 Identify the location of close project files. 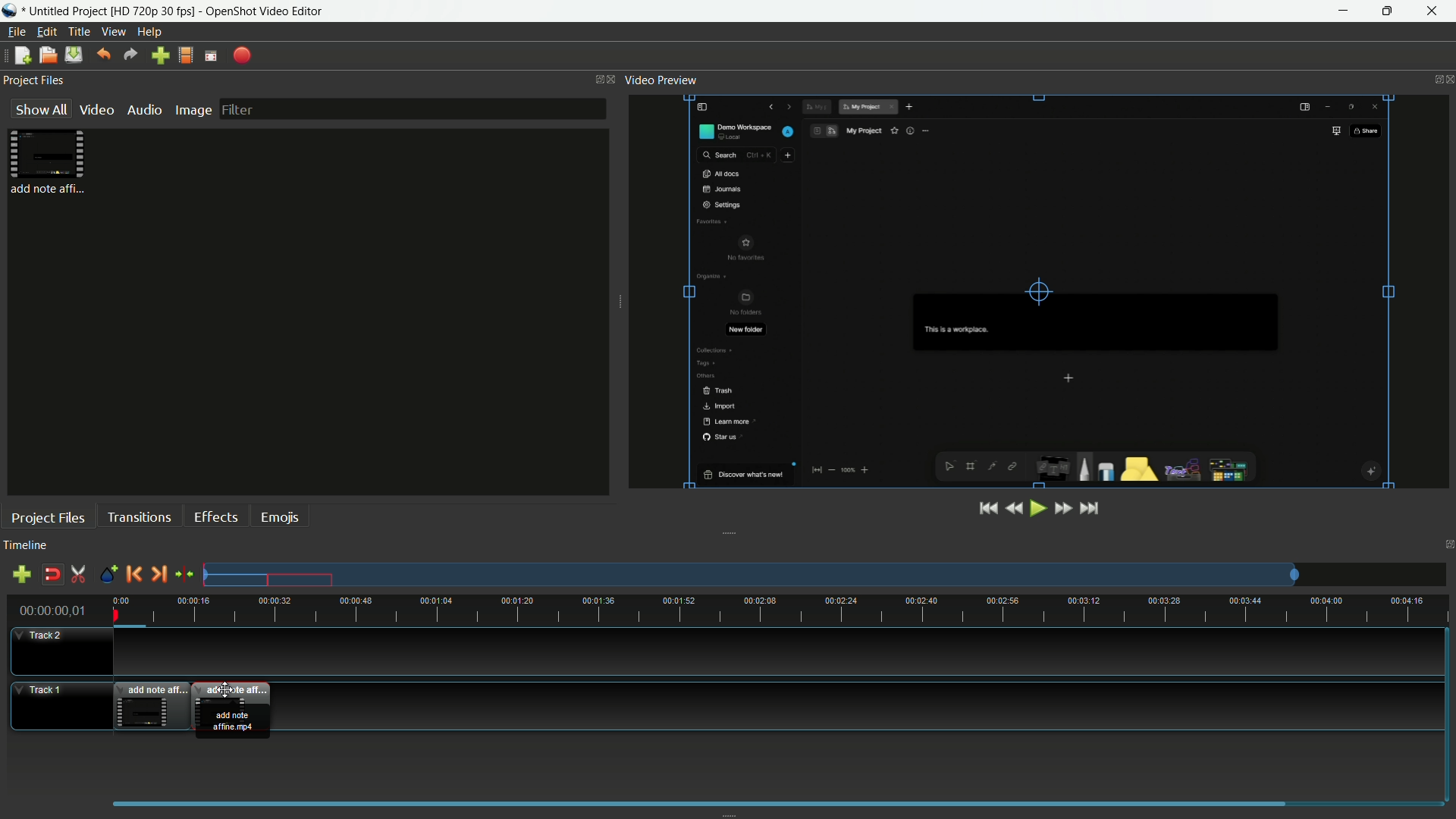
(613, 79).